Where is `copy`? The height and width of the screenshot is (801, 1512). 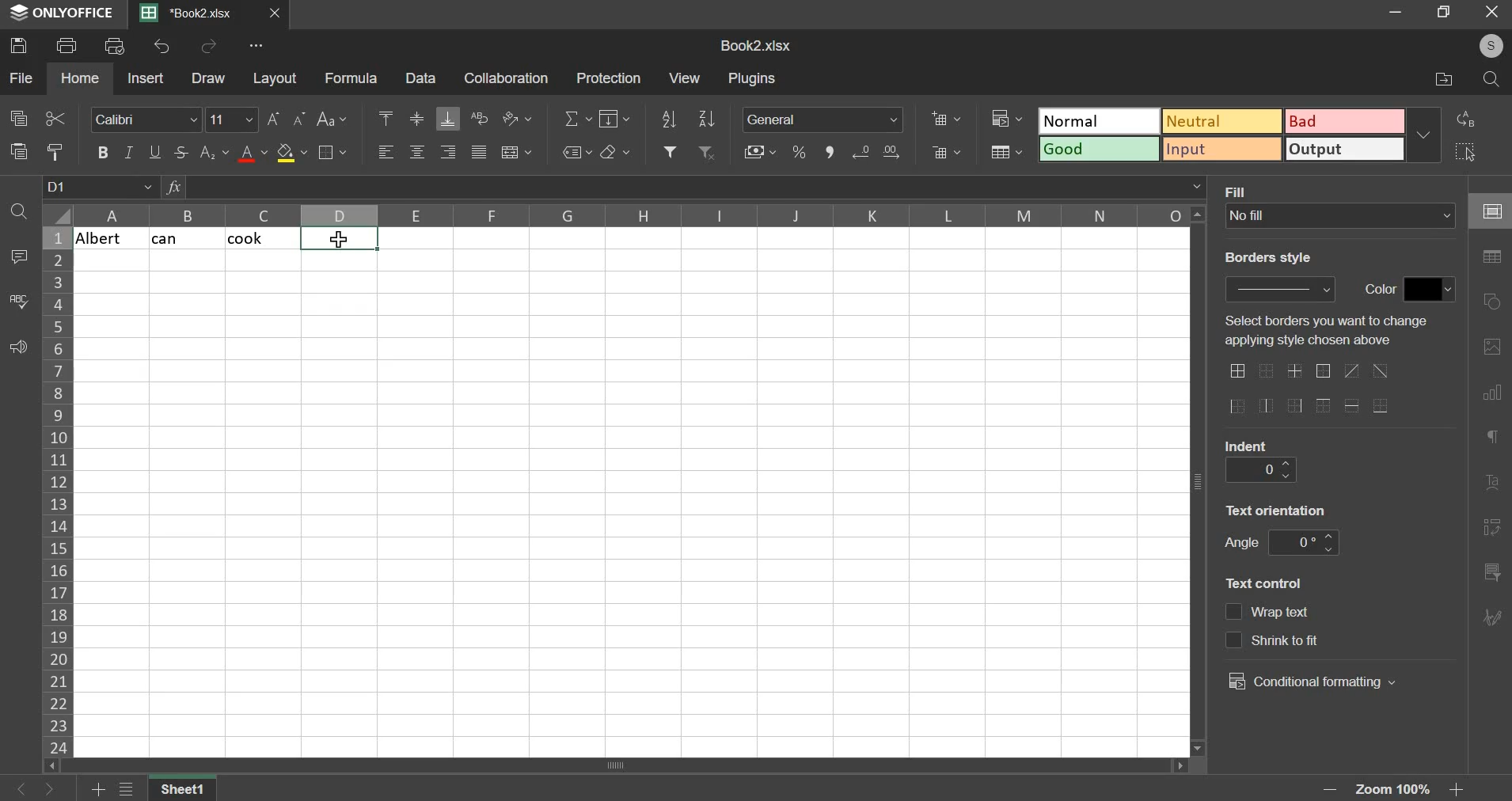 copy is located at coordinates (18, 119).